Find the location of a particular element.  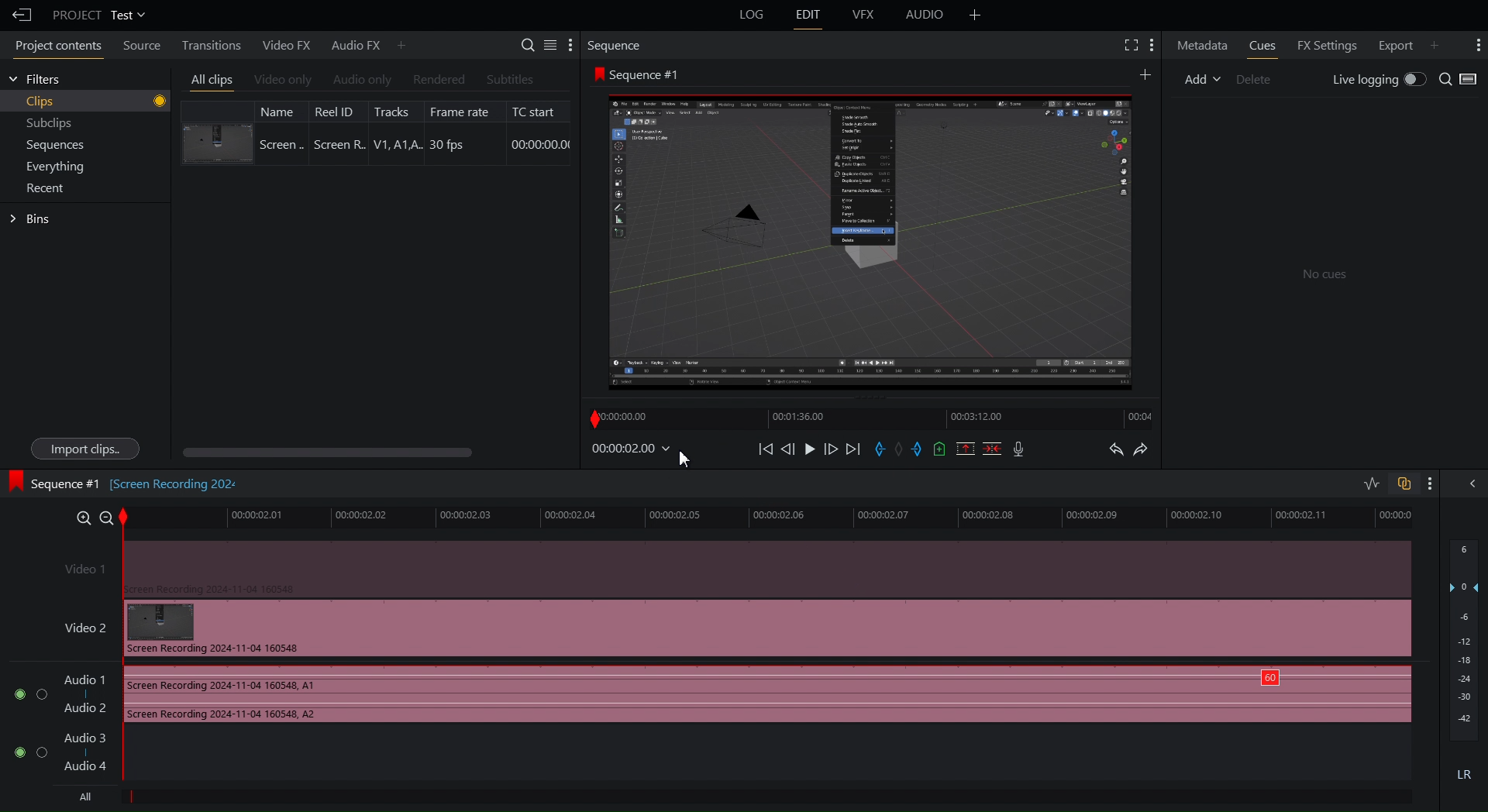

Settings is located at coordinates (548, 44).